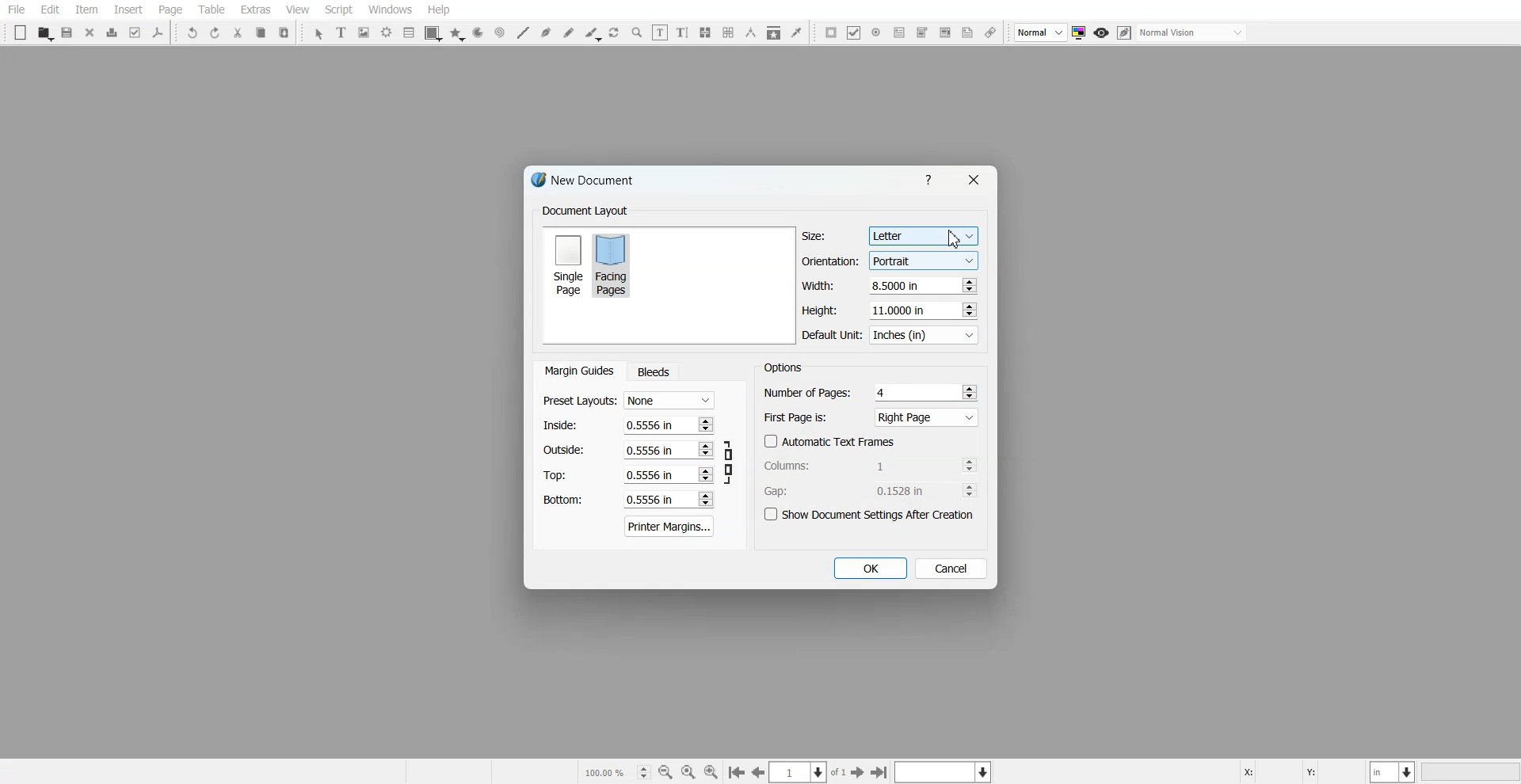 This screenshot has width=1521, height=784. I want to click on Paste, so click(284, 32).